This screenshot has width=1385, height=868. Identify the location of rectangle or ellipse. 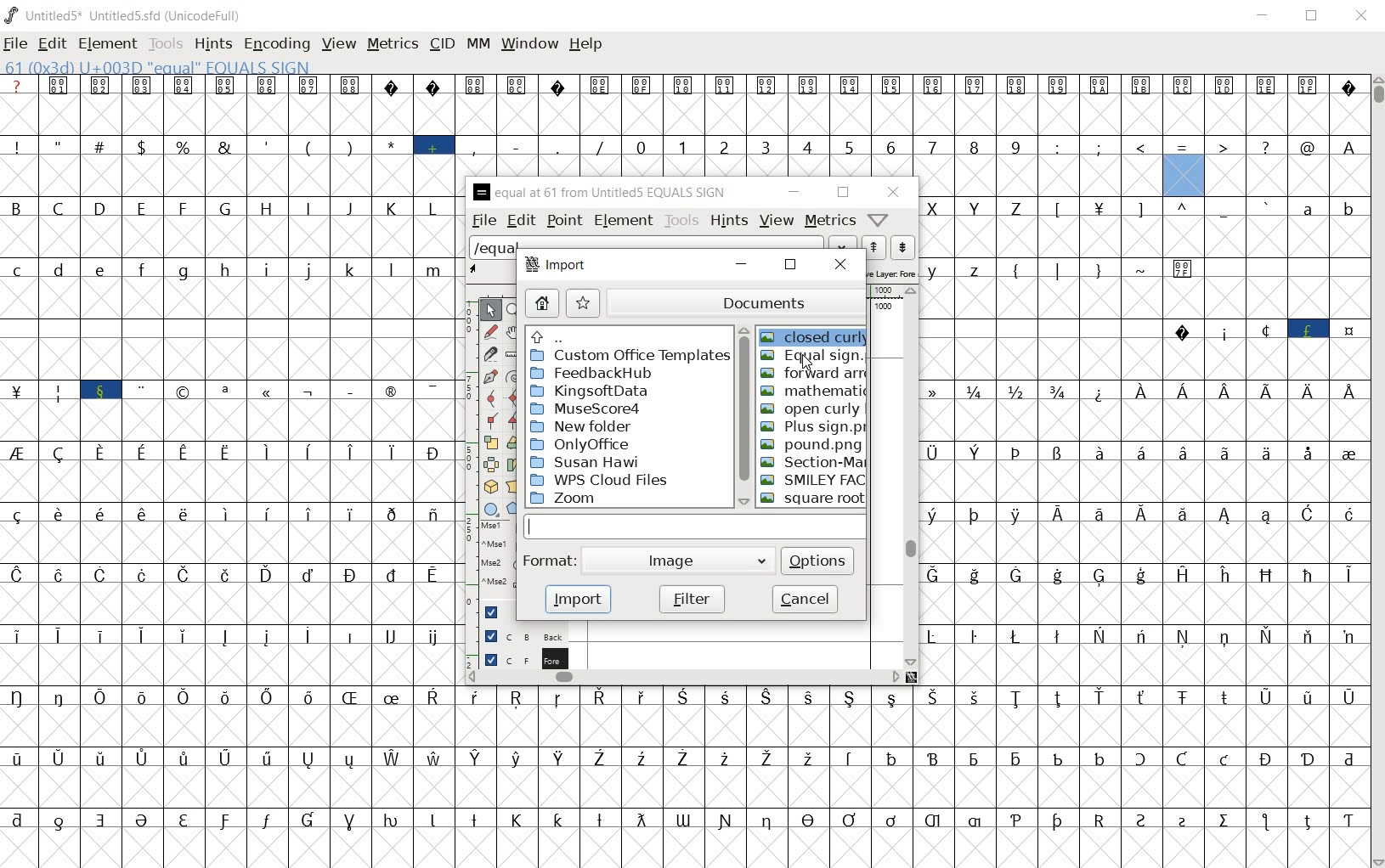
(492, 509).